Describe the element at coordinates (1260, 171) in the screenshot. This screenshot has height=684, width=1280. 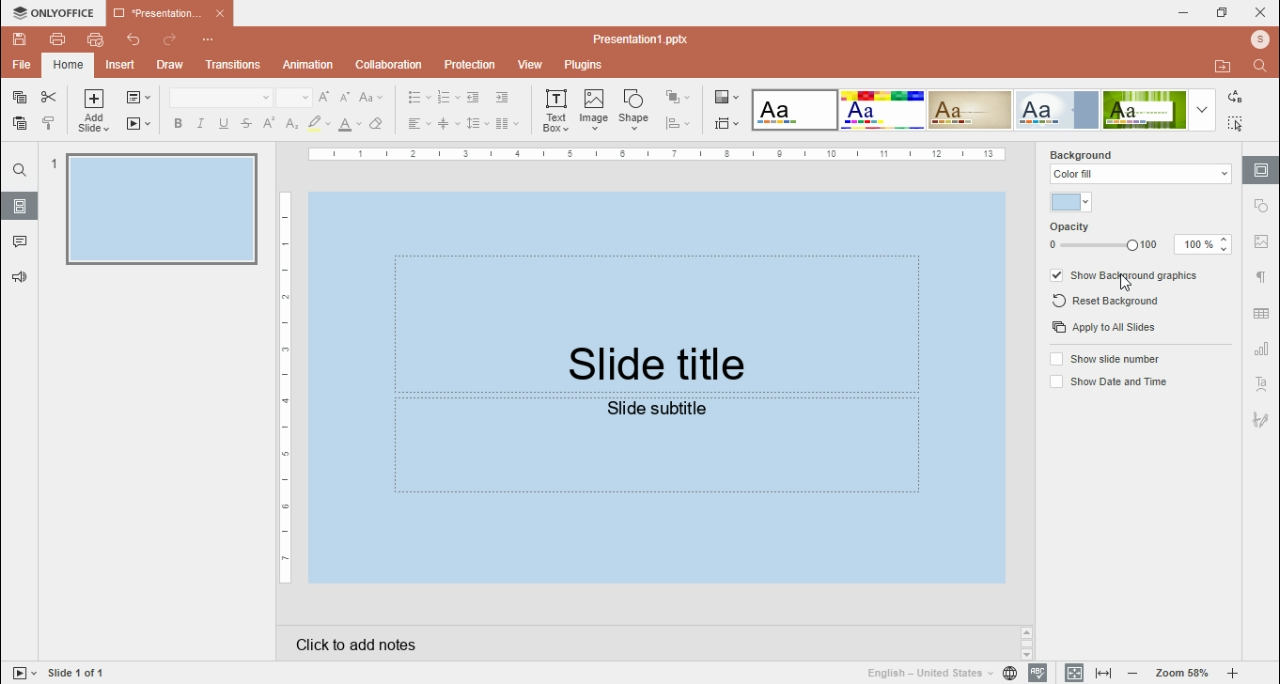
I see `slide settings` at that location.